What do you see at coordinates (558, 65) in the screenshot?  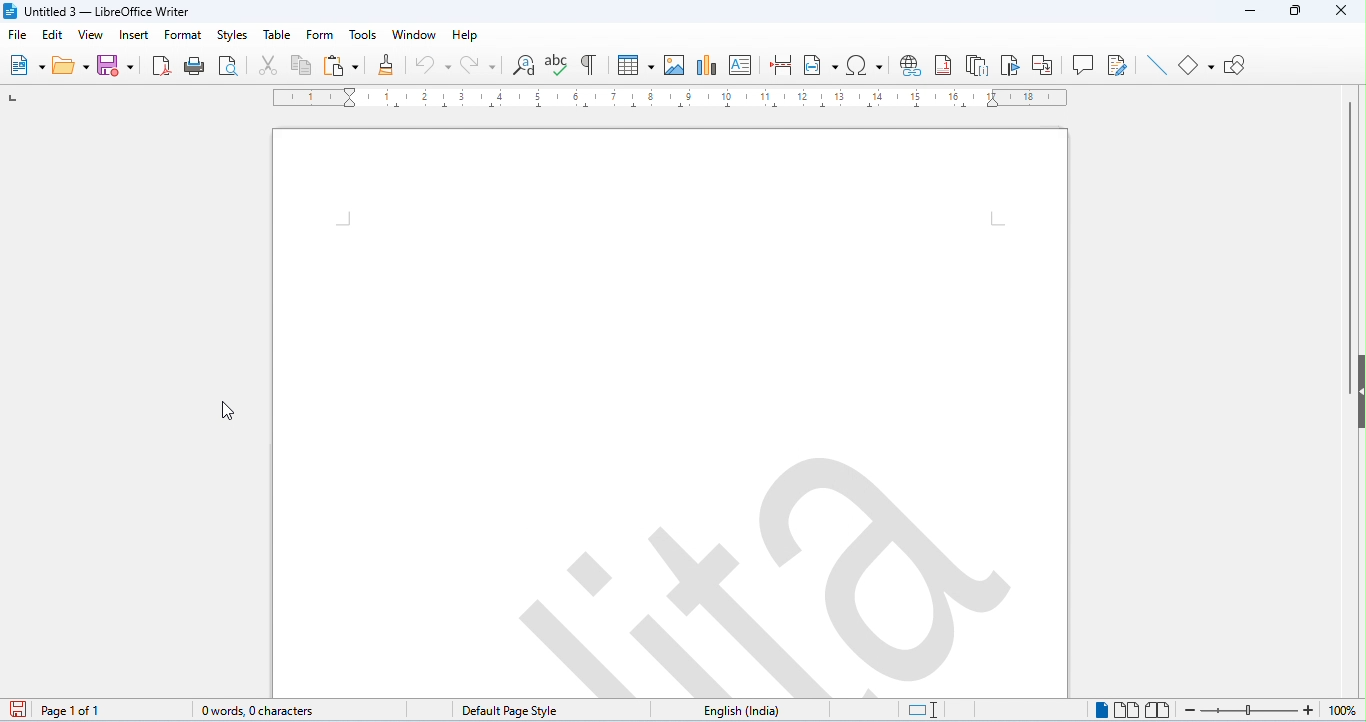 I see `spelling` at bounding box center [558, 65].